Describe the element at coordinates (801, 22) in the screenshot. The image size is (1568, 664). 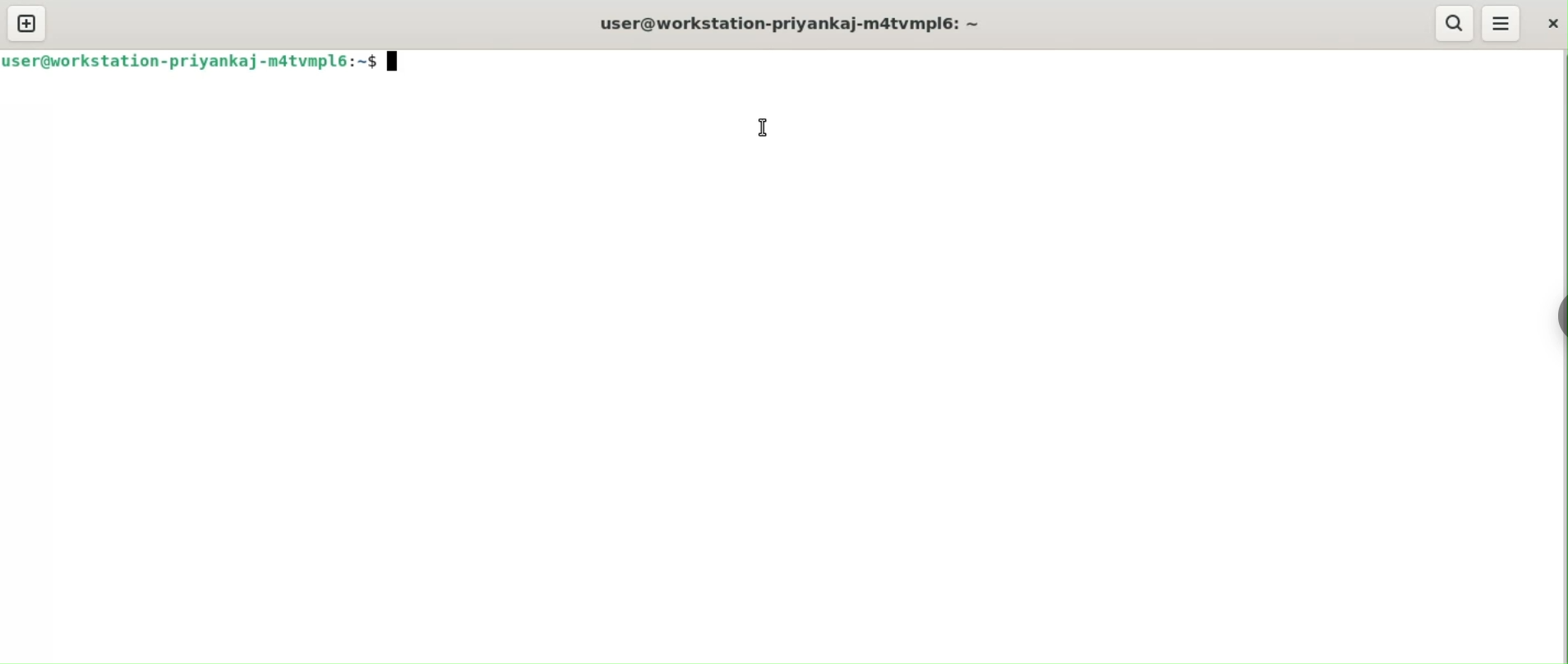
I see `user@workstation-priyankaj-m4tvmpl6:-$` at that location.